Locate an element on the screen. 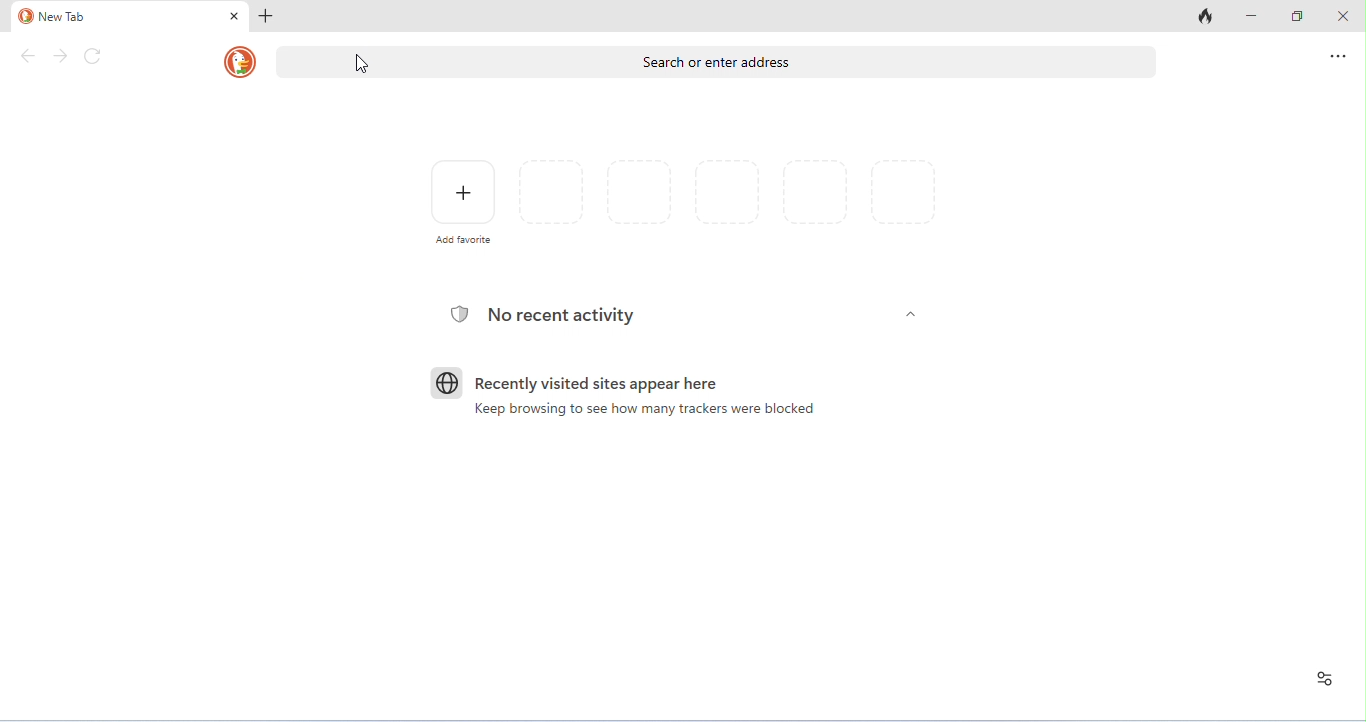  refresh is located at coordinates (94, 56).